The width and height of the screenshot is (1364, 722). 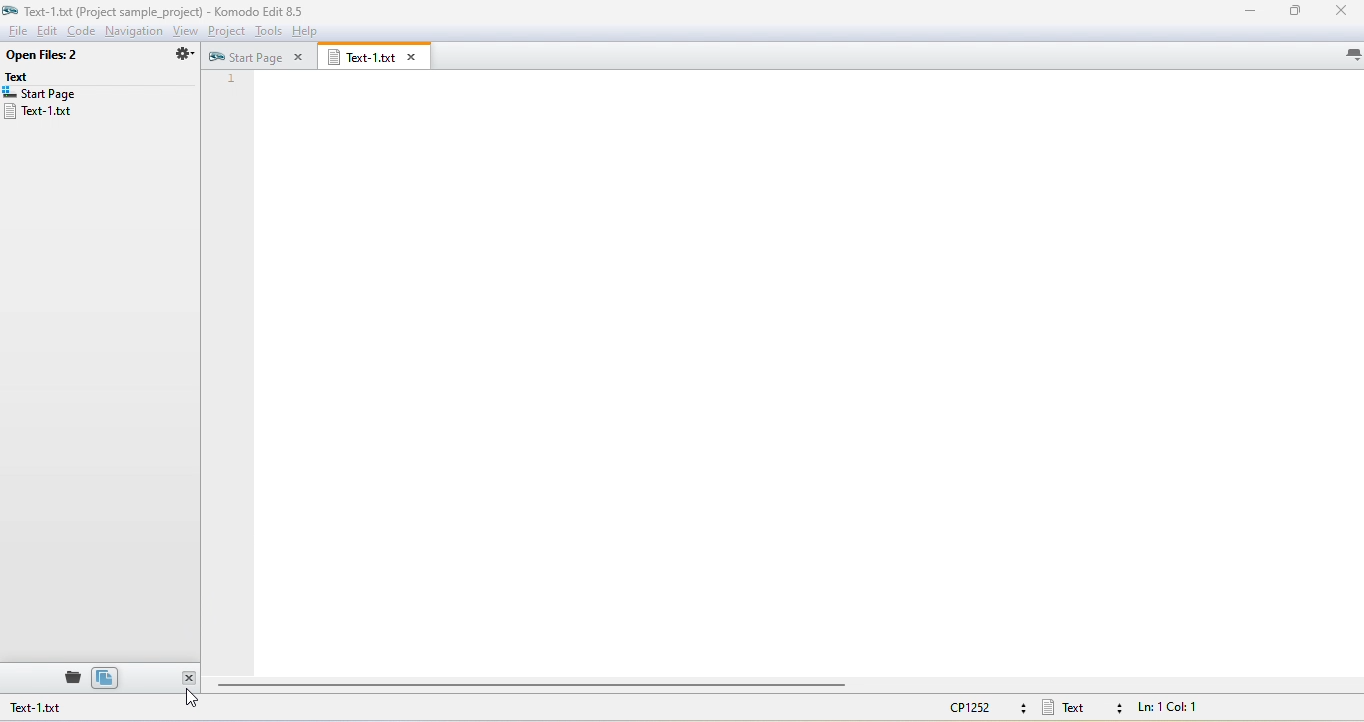 What do you see at coordinates (134, 31) in the screenshot?
I see `navigation` at bounding box center [134, 31].